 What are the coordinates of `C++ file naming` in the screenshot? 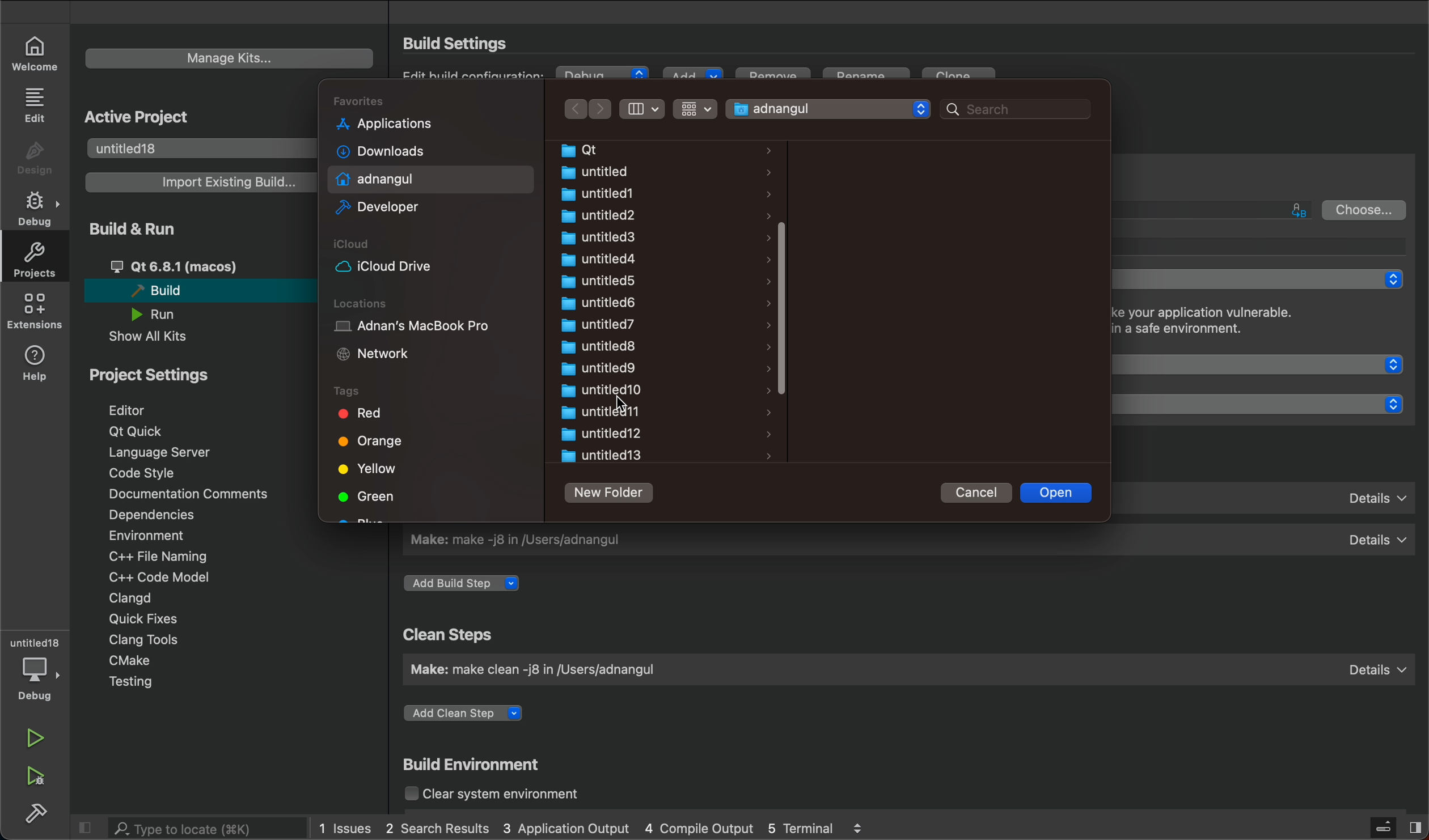 It's located at (155, 557).